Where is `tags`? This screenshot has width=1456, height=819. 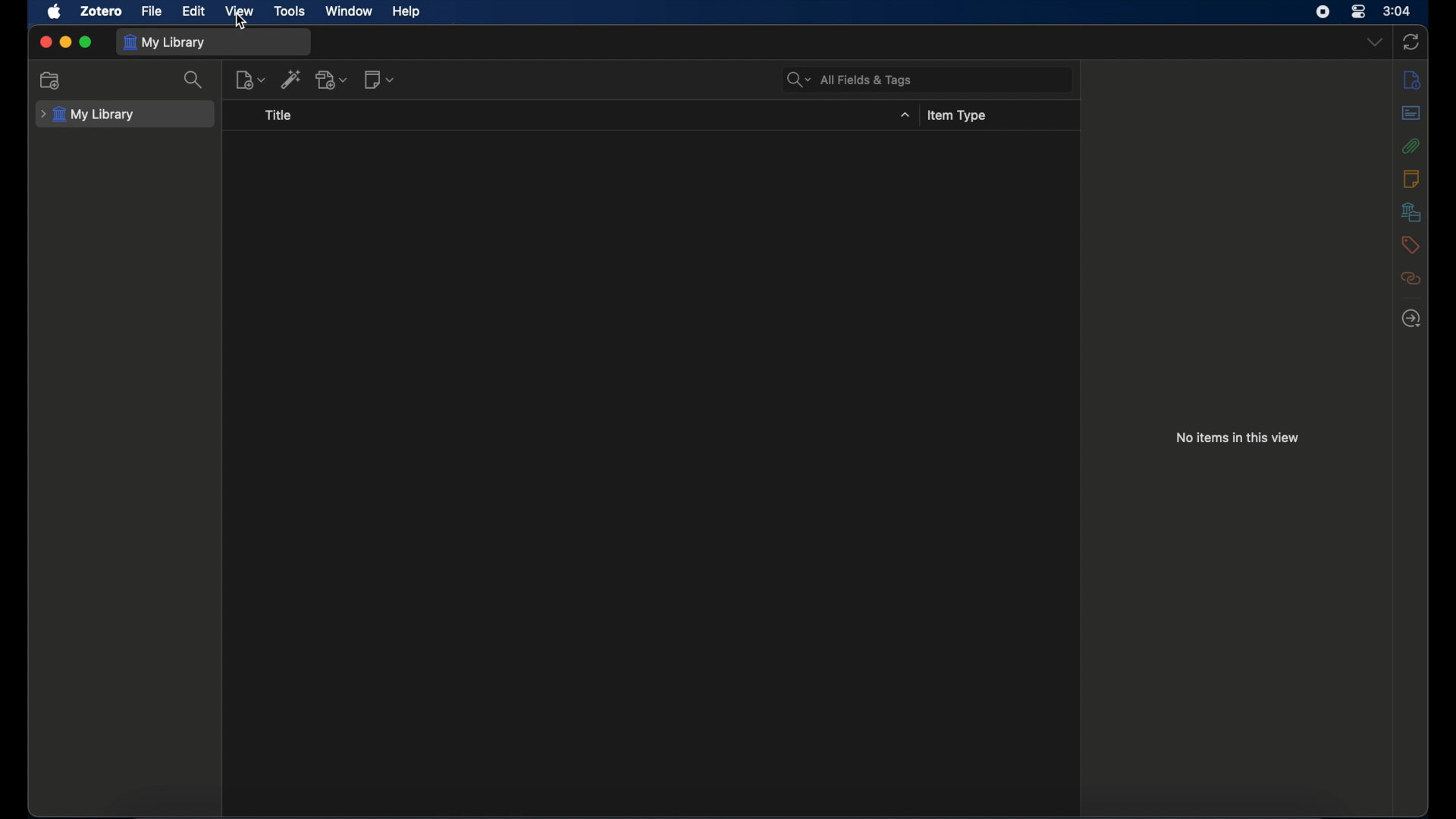 tags is located at coordinates (1410, 244).